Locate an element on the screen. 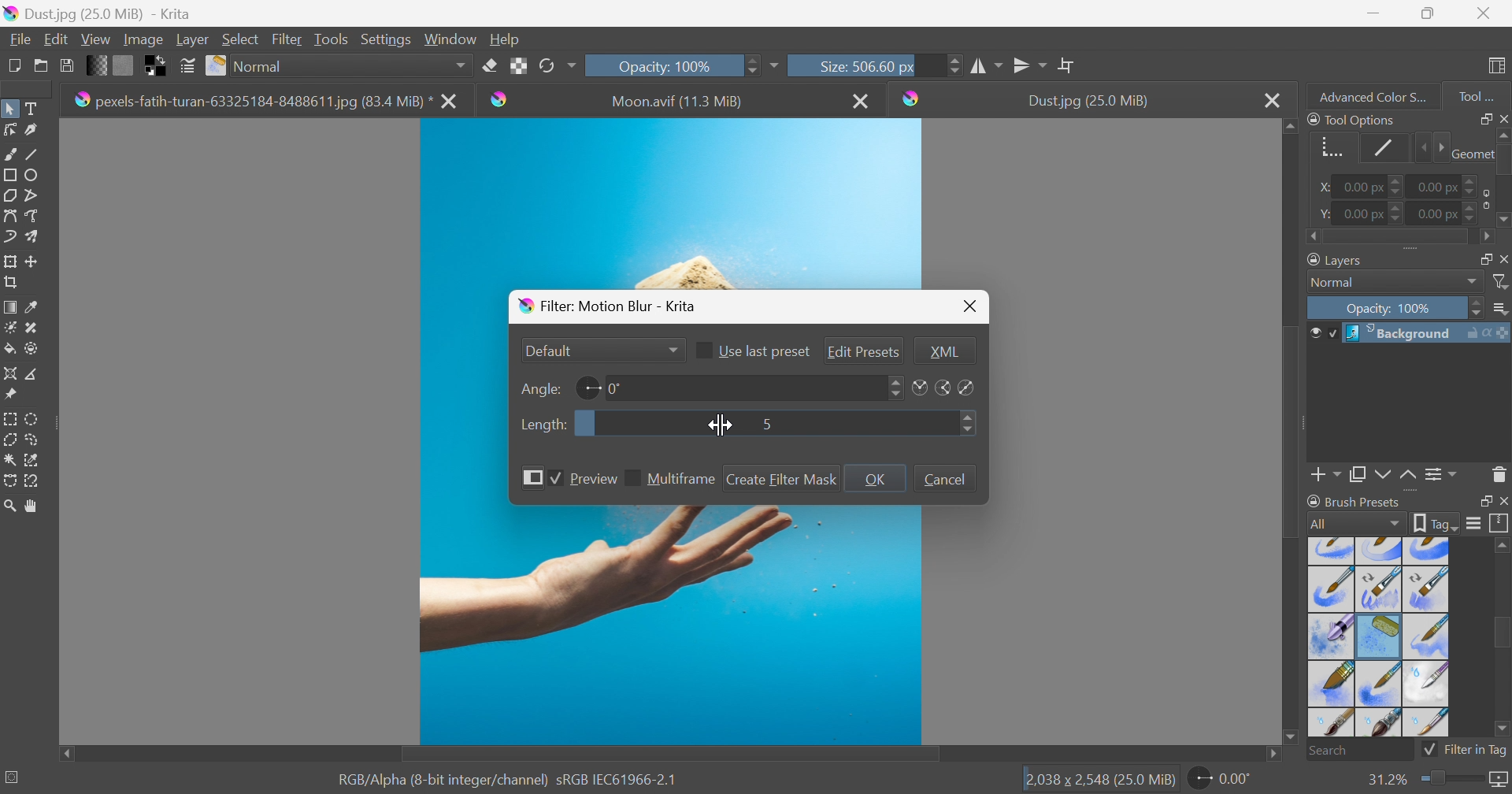  Settings is located at coordinates (388, 39).